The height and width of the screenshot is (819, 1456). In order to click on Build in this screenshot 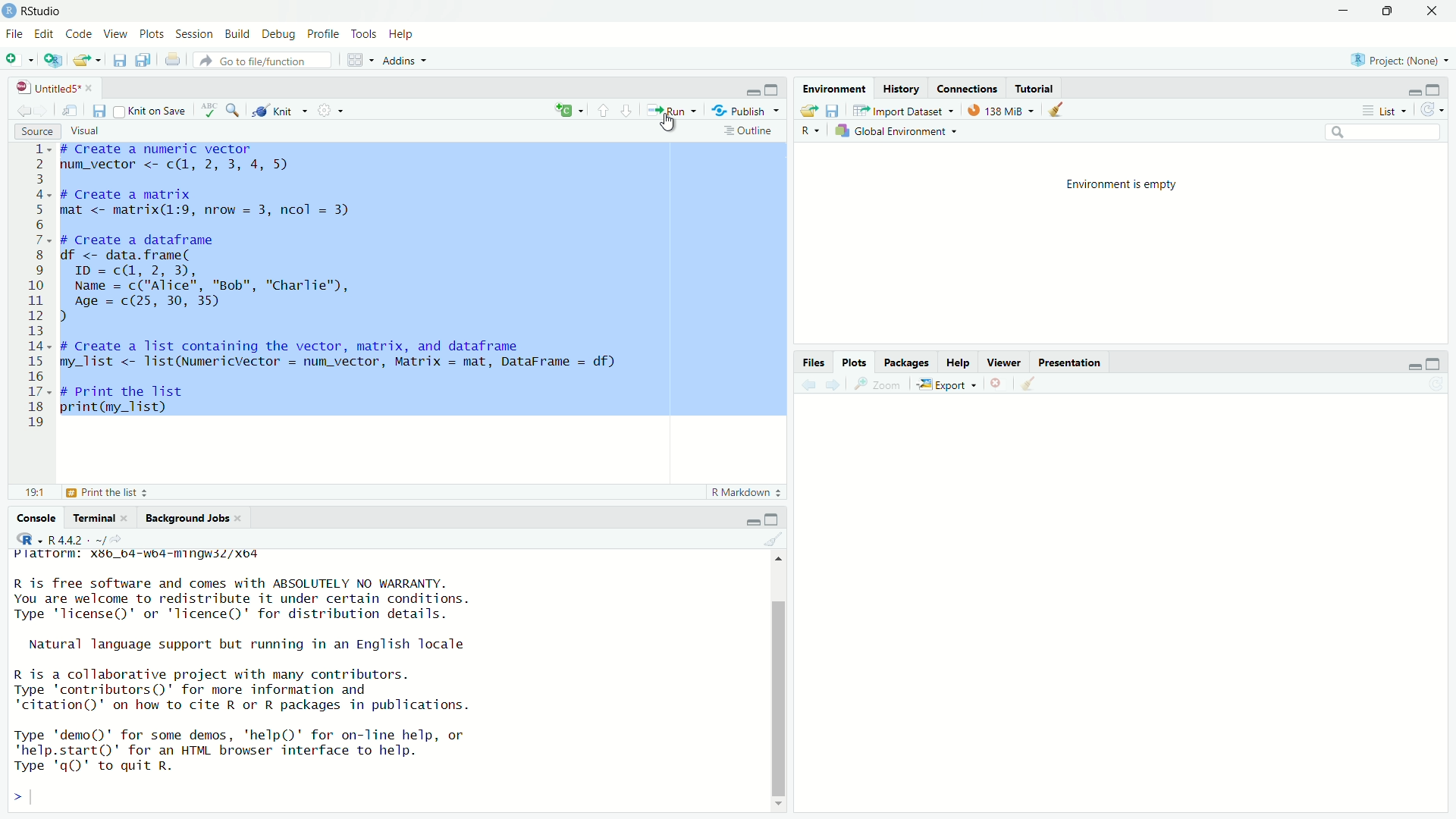, I will do `click(240, 33)`.